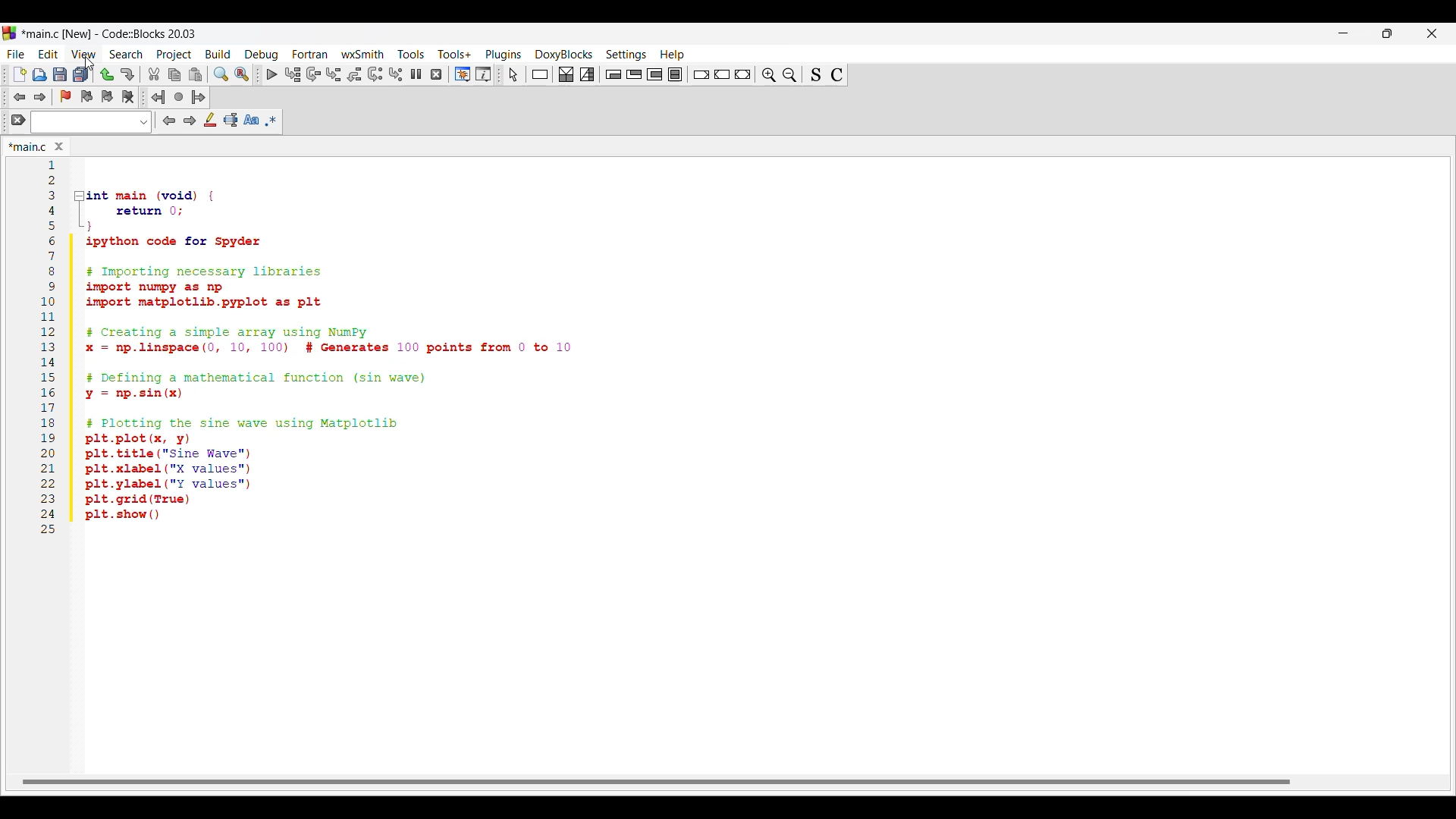 The image size is (1456, 819). I want to click on Jump forward, so click(199, 97).